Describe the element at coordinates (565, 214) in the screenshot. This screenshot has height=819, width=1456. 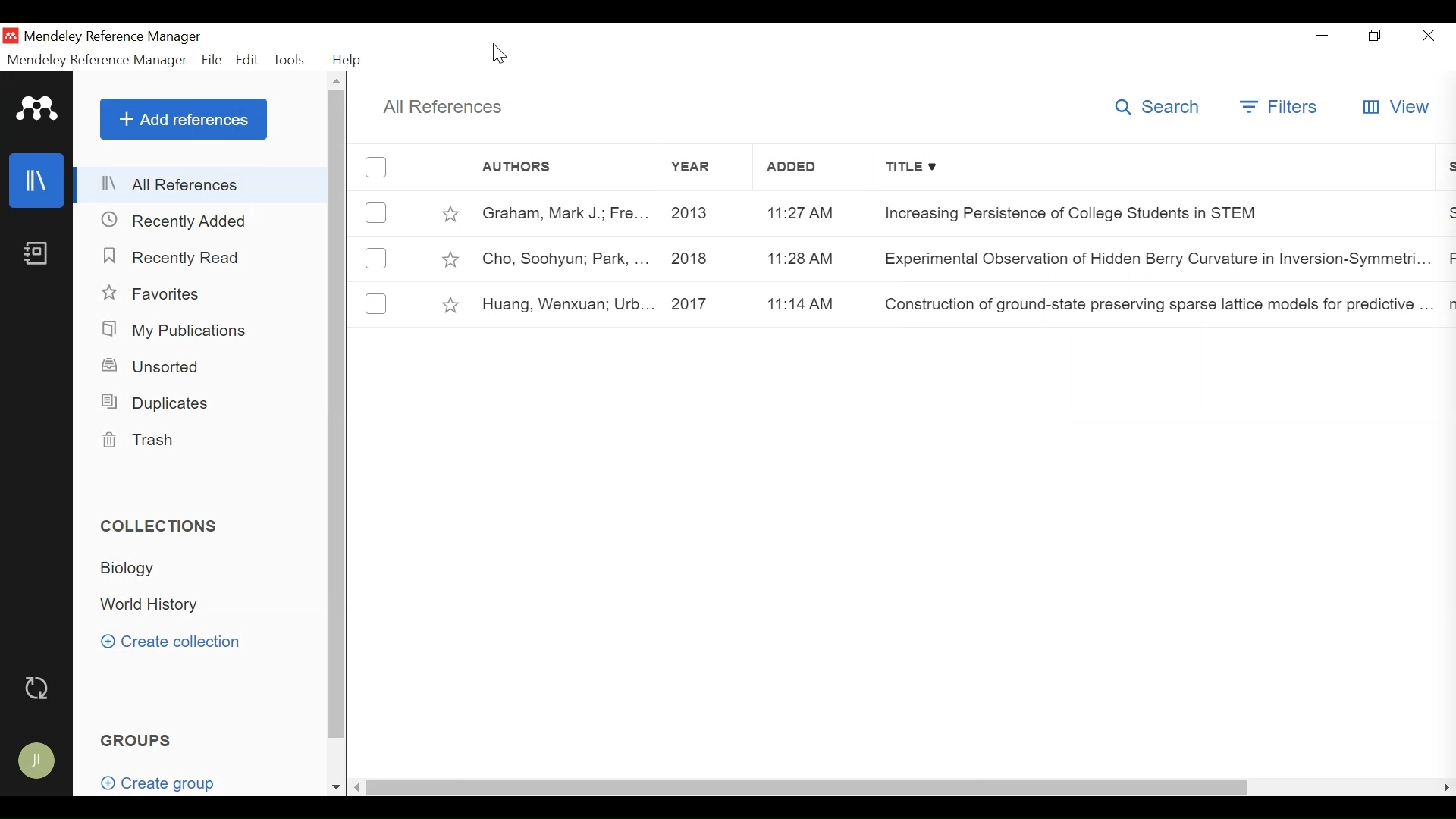
I see `Author` at that location.